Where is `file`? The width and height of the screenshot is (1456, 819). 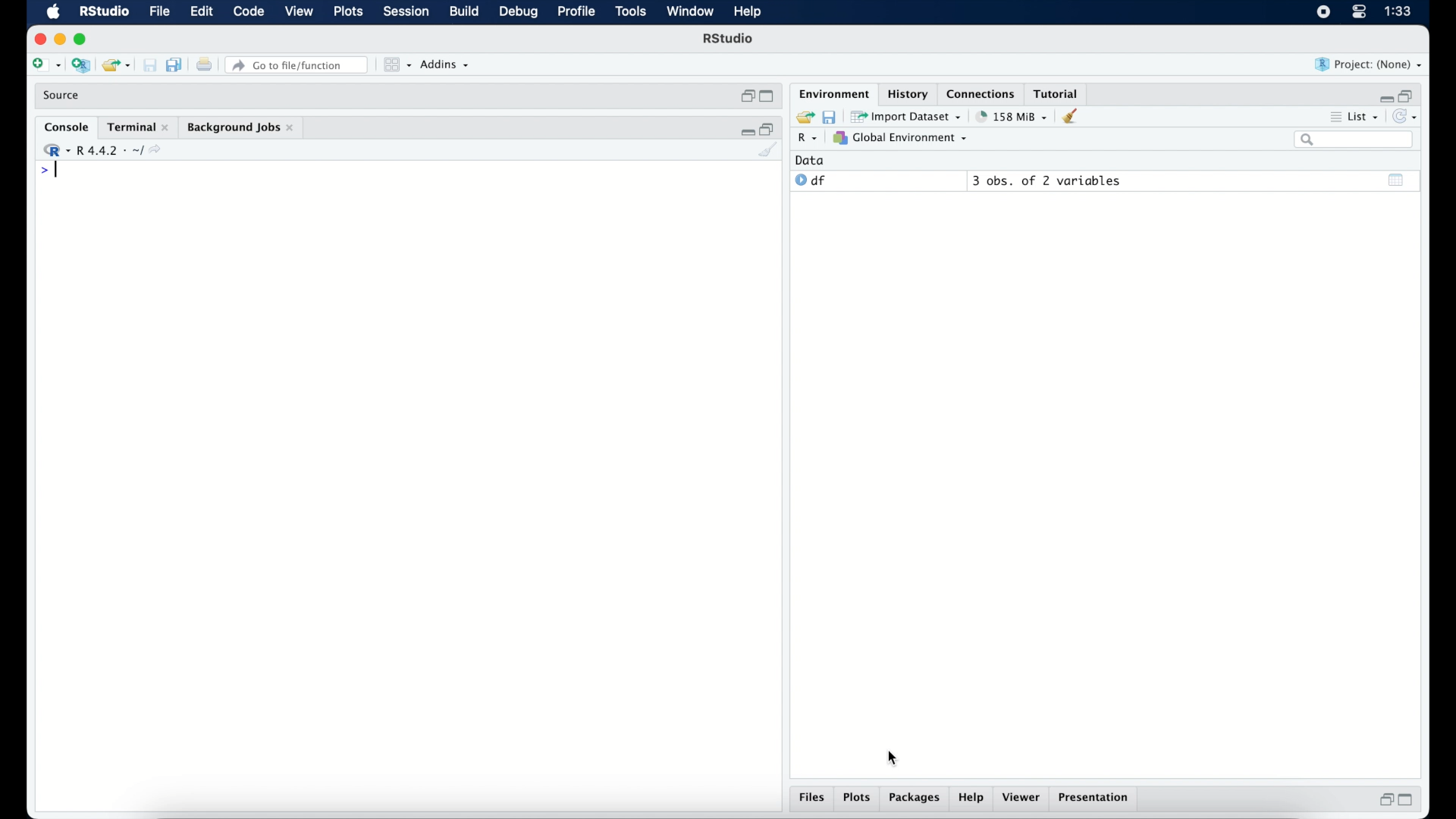
file is located at coordinates (160, 12).